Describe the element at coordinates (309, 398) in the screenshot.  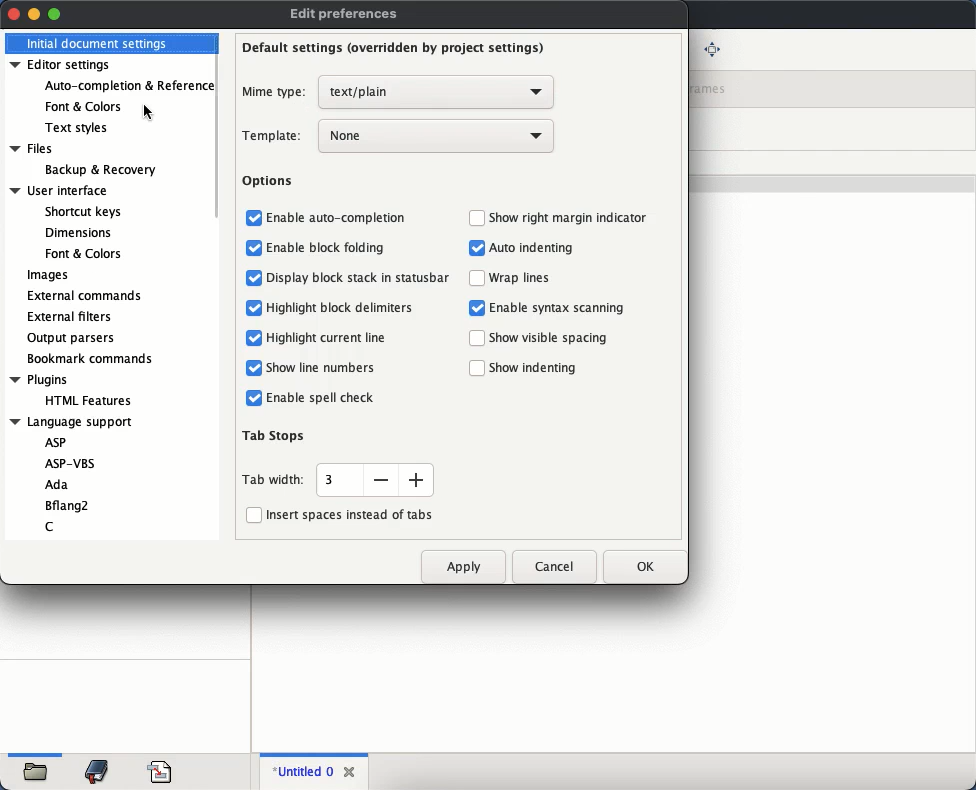
I see `enable spell check` at that location.